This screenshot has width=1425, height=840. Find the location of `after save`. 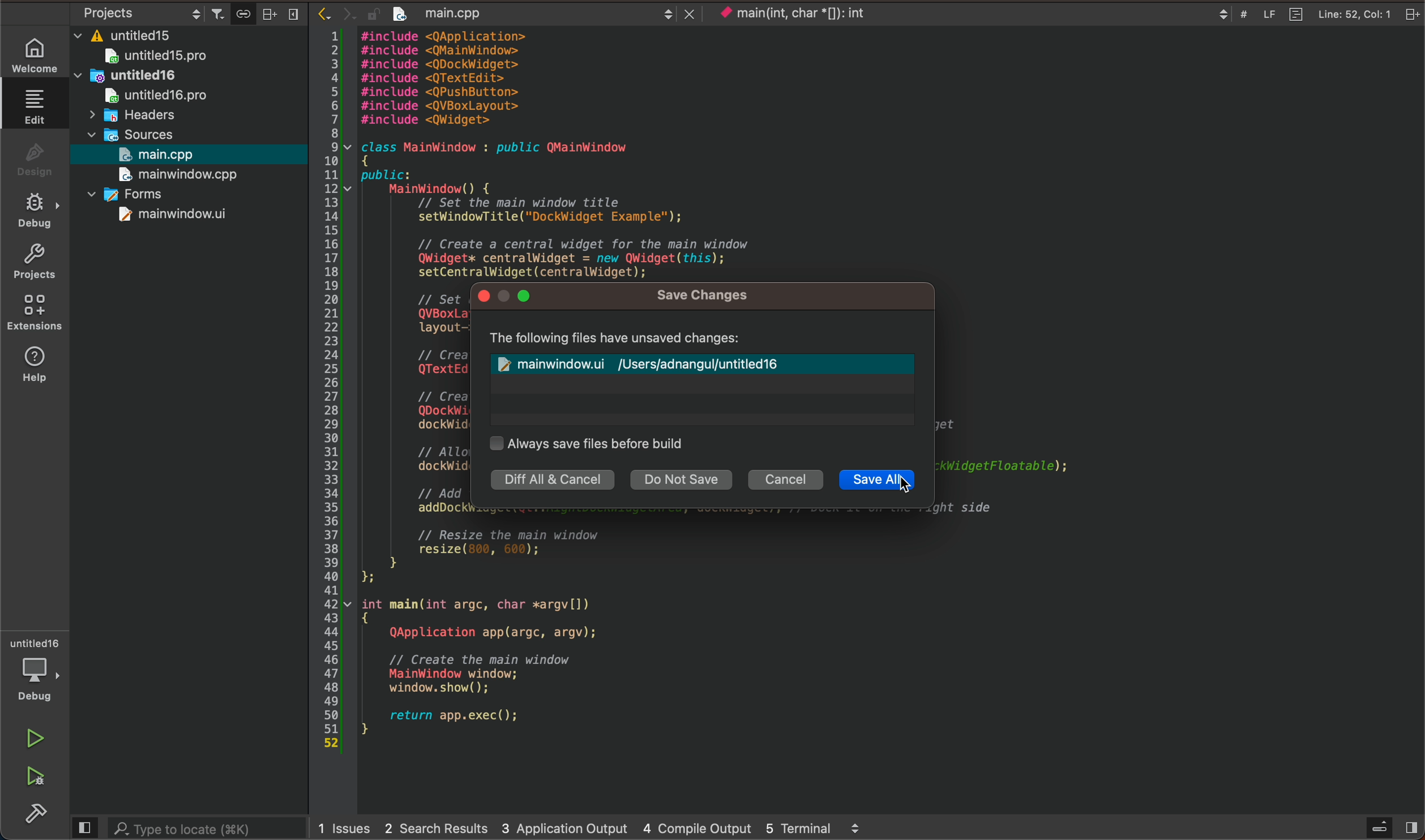

after save is located at coordinates (541, 16).